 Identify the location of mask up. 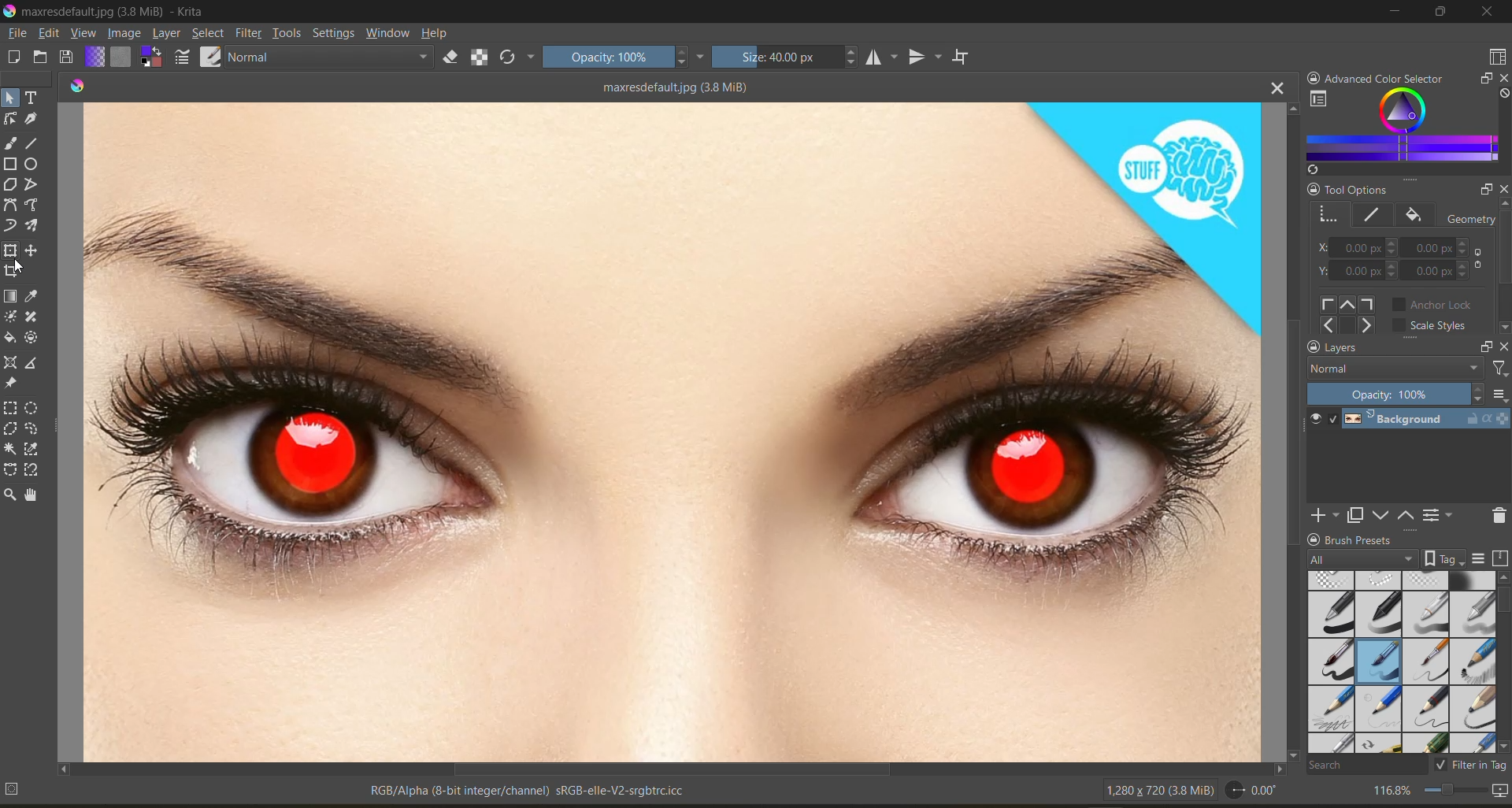
(1404, 514).